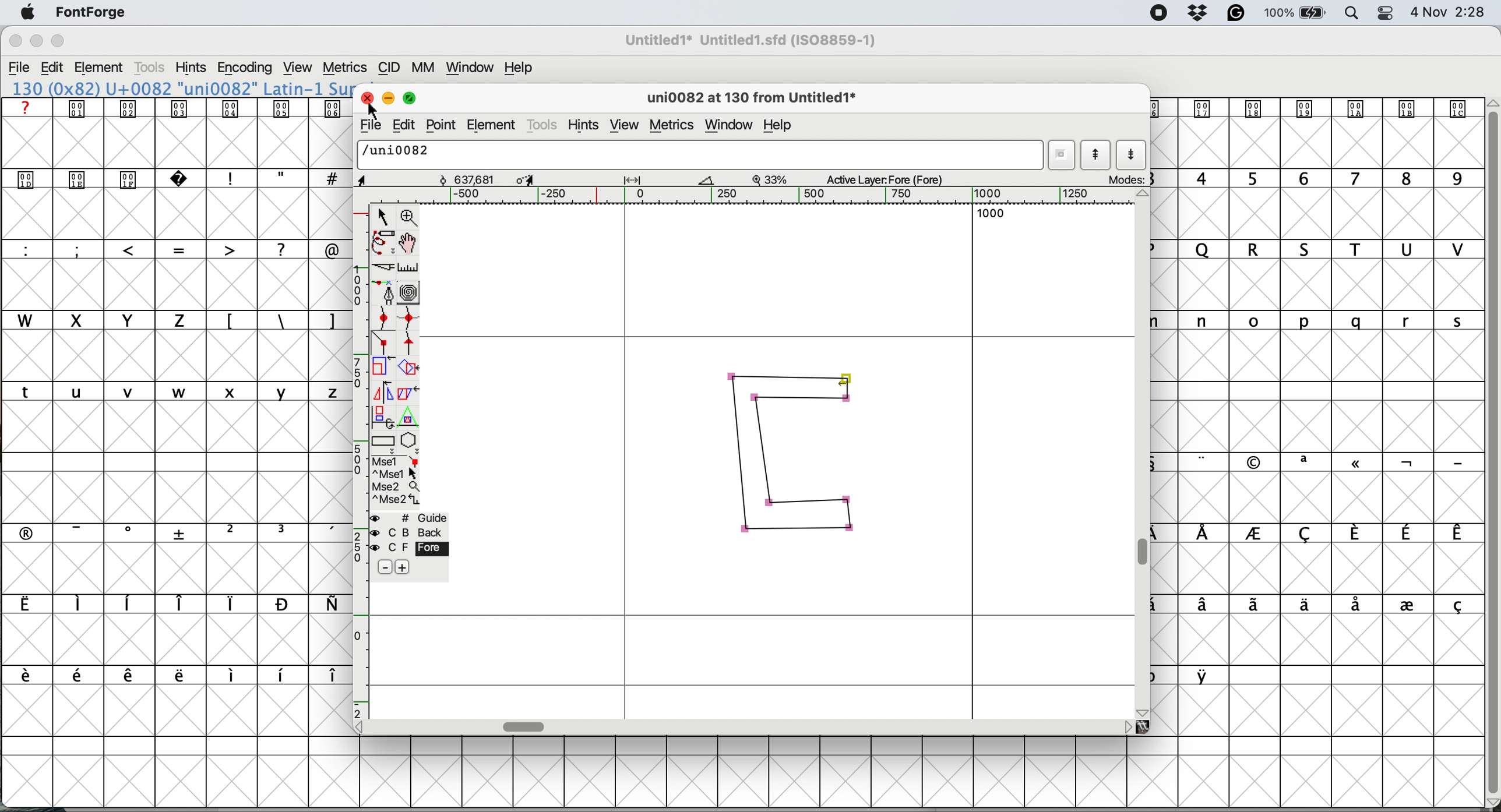  I want to click on symbols, so click(1331, 463).